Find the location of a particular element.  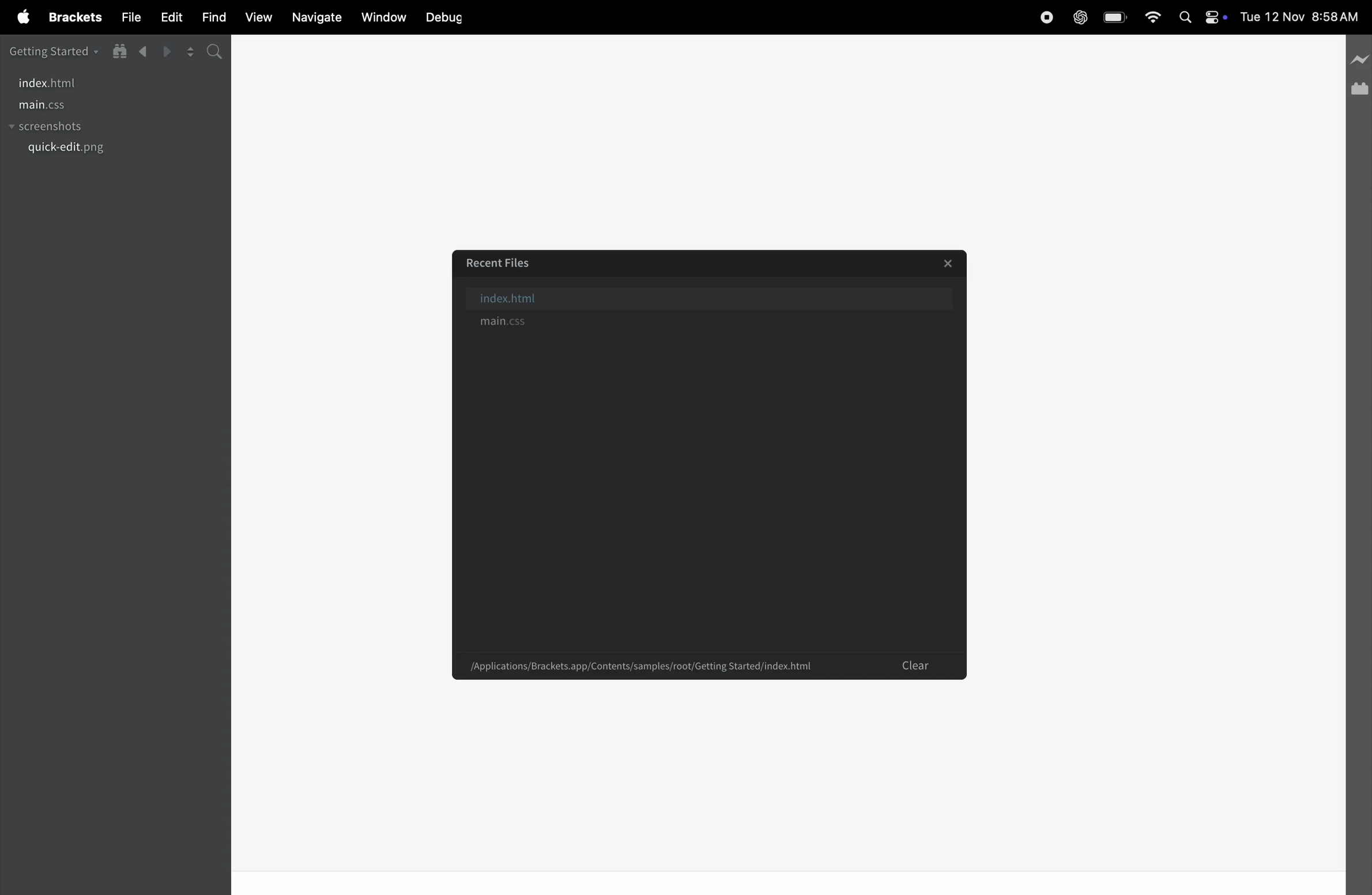

navigate is located at coordinates (316, 18).